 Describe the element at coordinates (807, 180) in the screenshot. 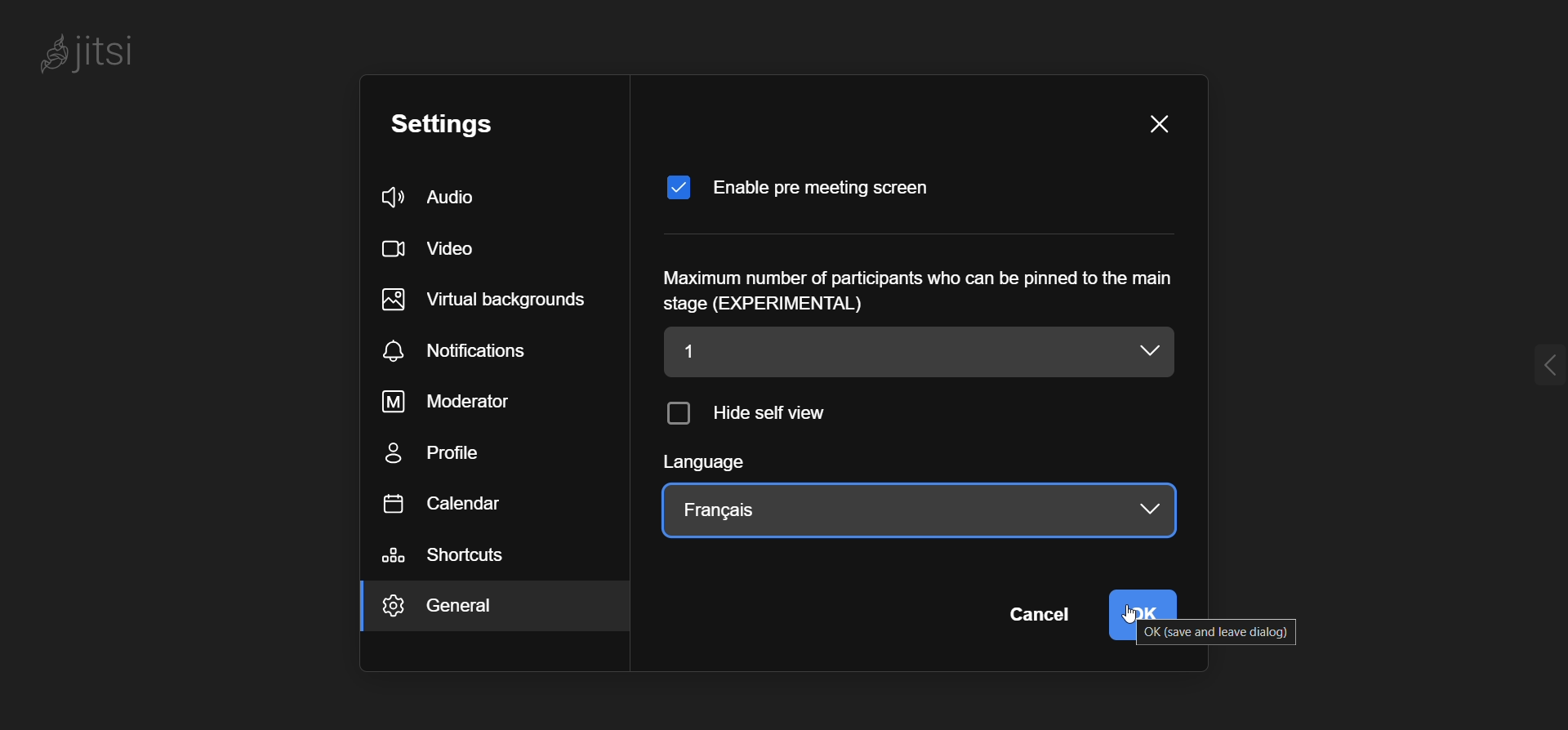

I see `Enable pre meeting screen enabled` at that location.